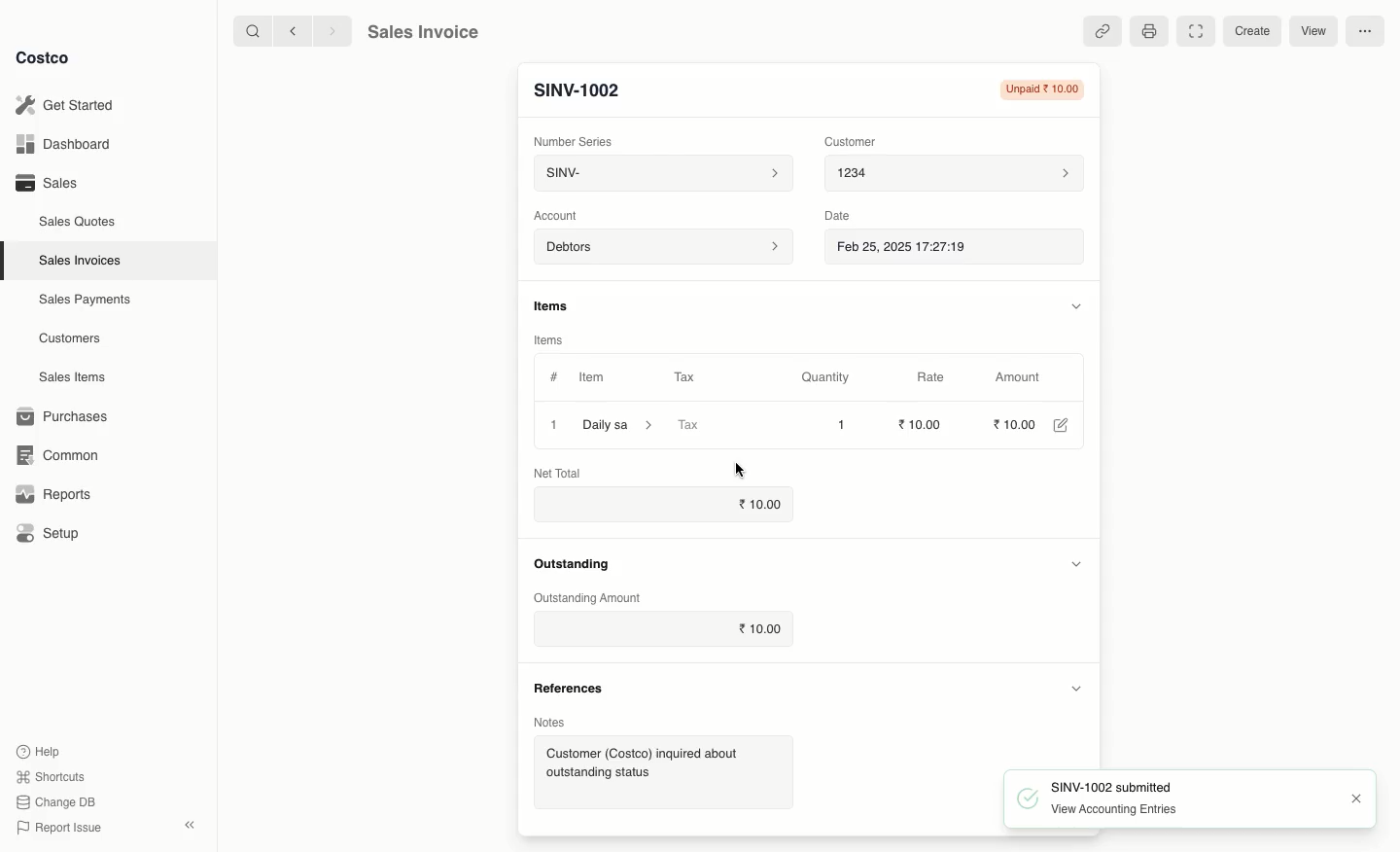 Image resolution: width=1400 pixels, height=852 pixels. Describe the element at coordinates (332, 32) in the screenshot. I see `Forward` at that location.